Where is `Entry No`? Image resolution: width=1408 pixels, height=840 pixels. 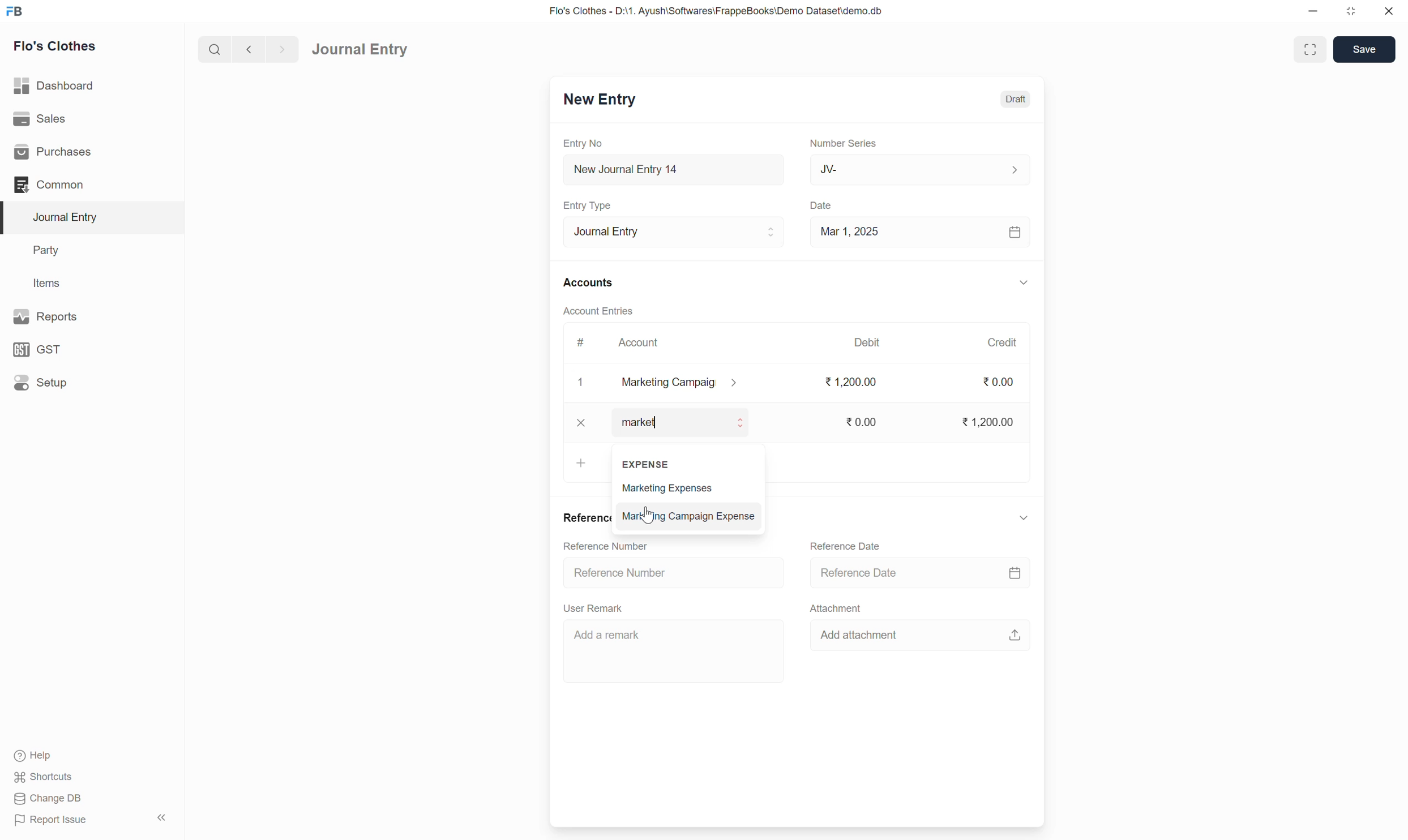
Entry No is located at coordinates (585, 143).